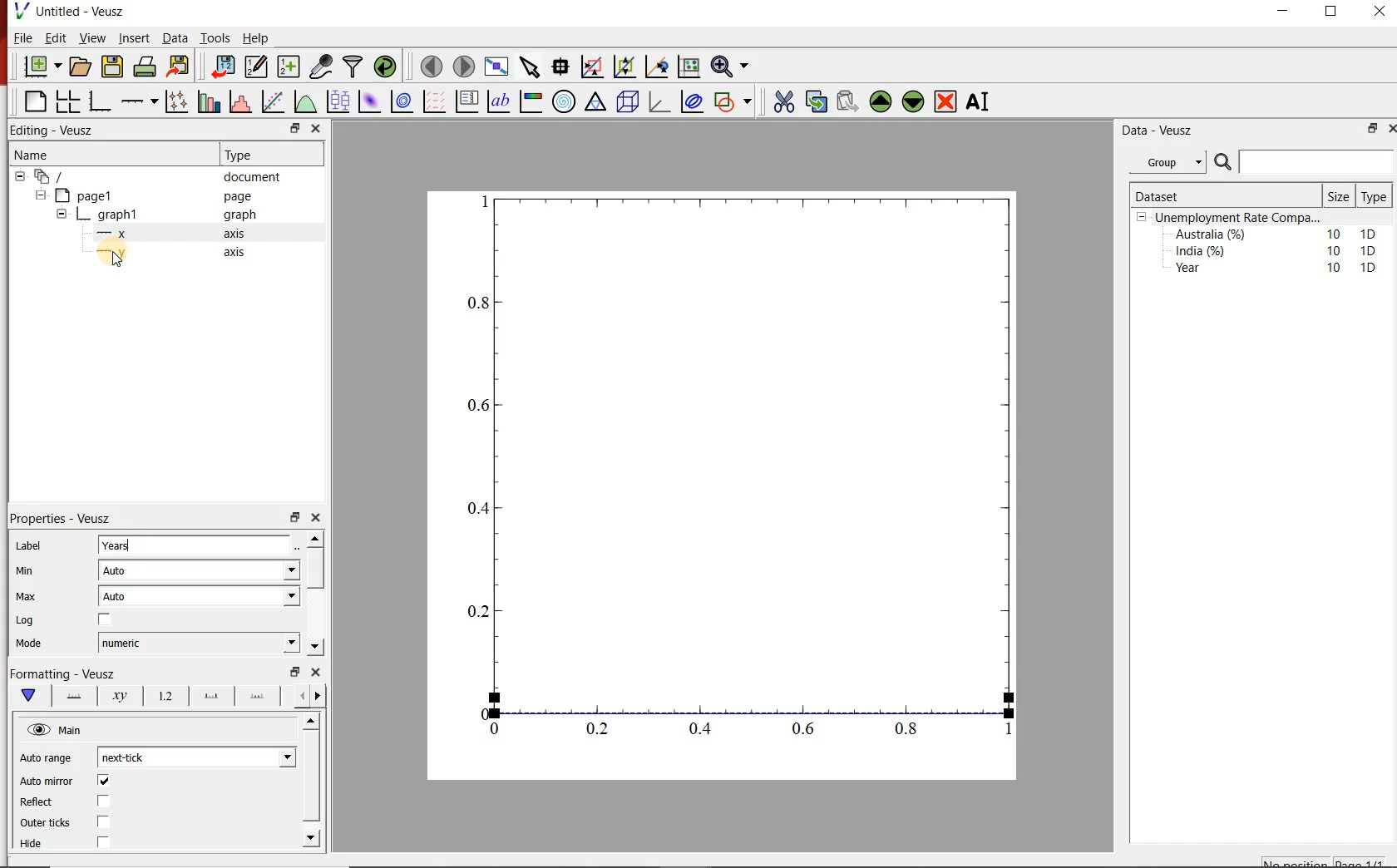 The height and width of the screenshot is (868, 1397). I want to click on Type, so click(260, 155).